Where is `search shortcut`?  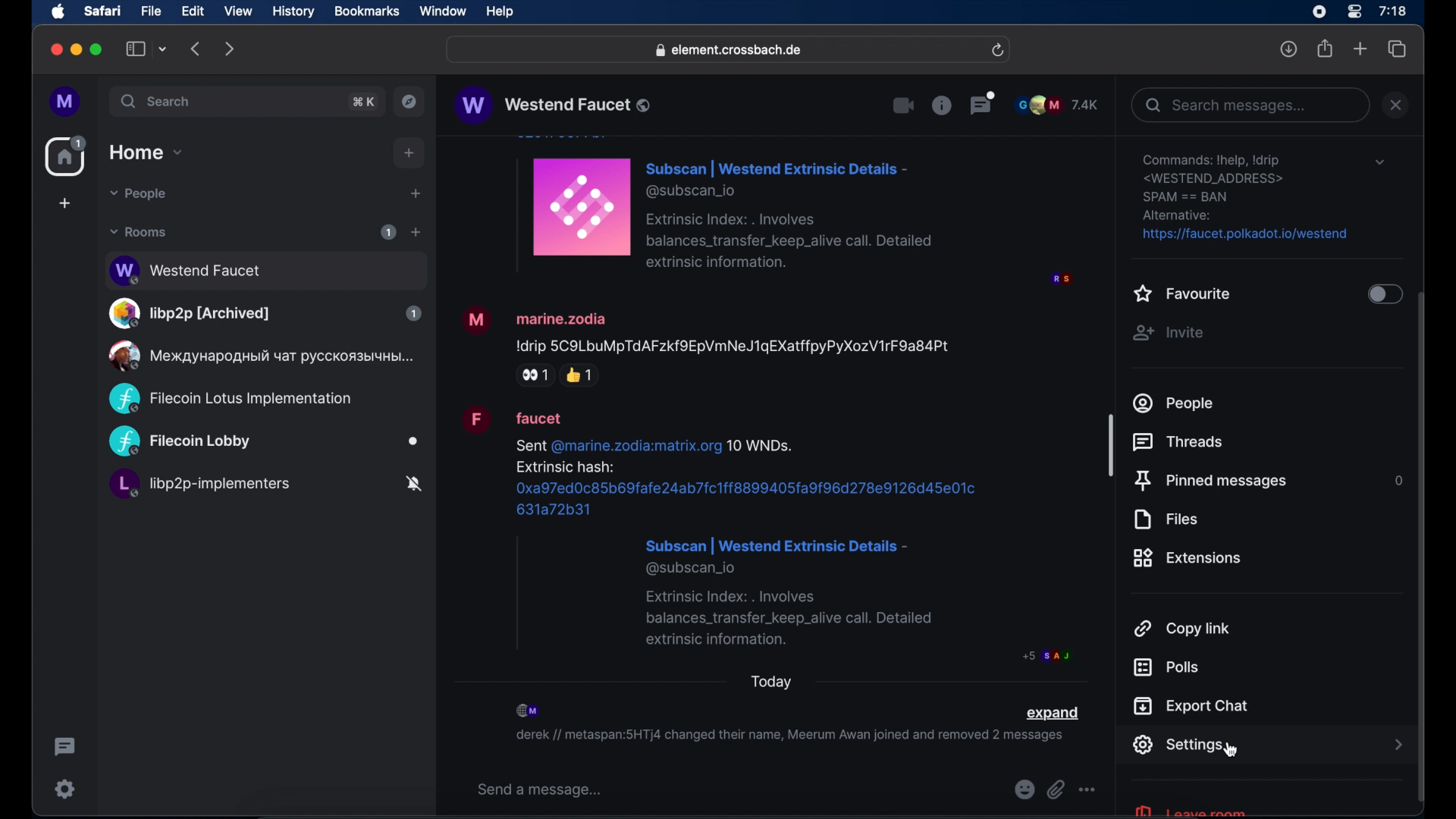 search shortcut is located at coordinates (365, 102).